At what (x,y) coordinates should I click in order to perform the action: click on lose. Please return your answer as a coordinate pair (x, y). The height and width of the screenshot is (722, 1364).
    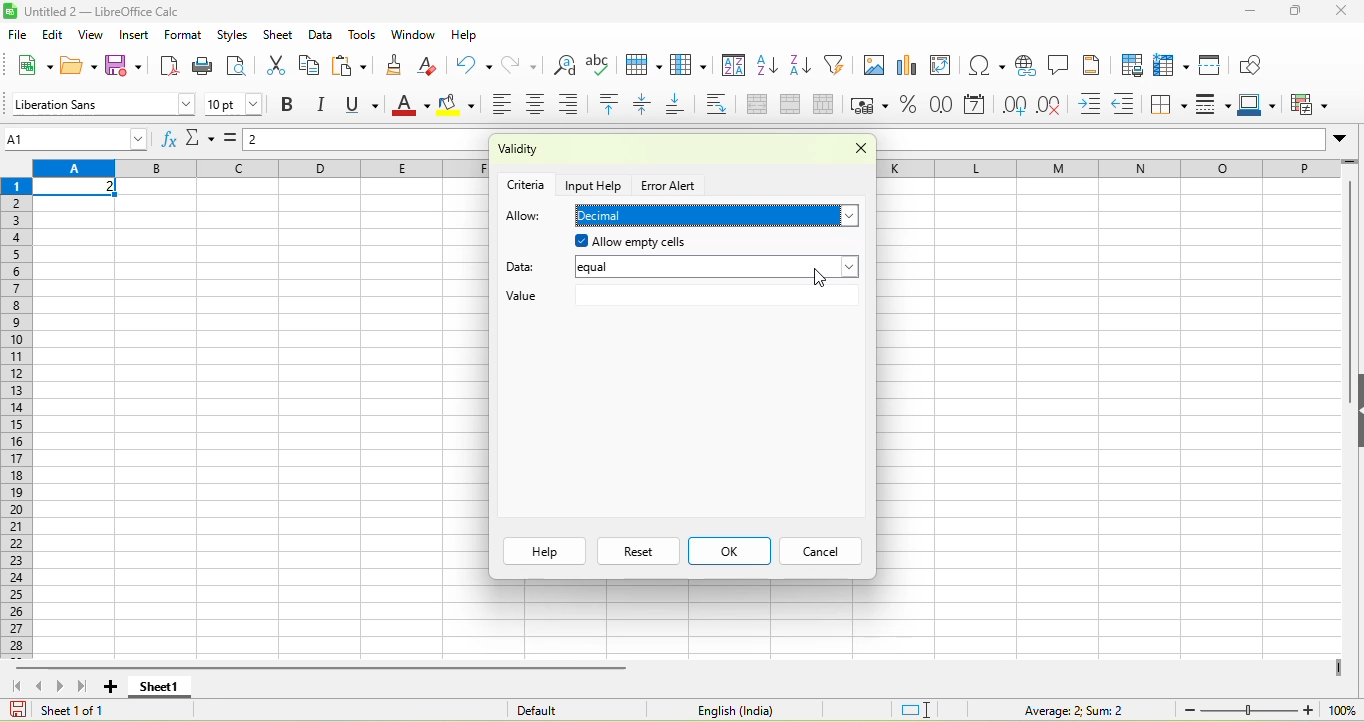
    Looking at the image, I should click on (854, 151).